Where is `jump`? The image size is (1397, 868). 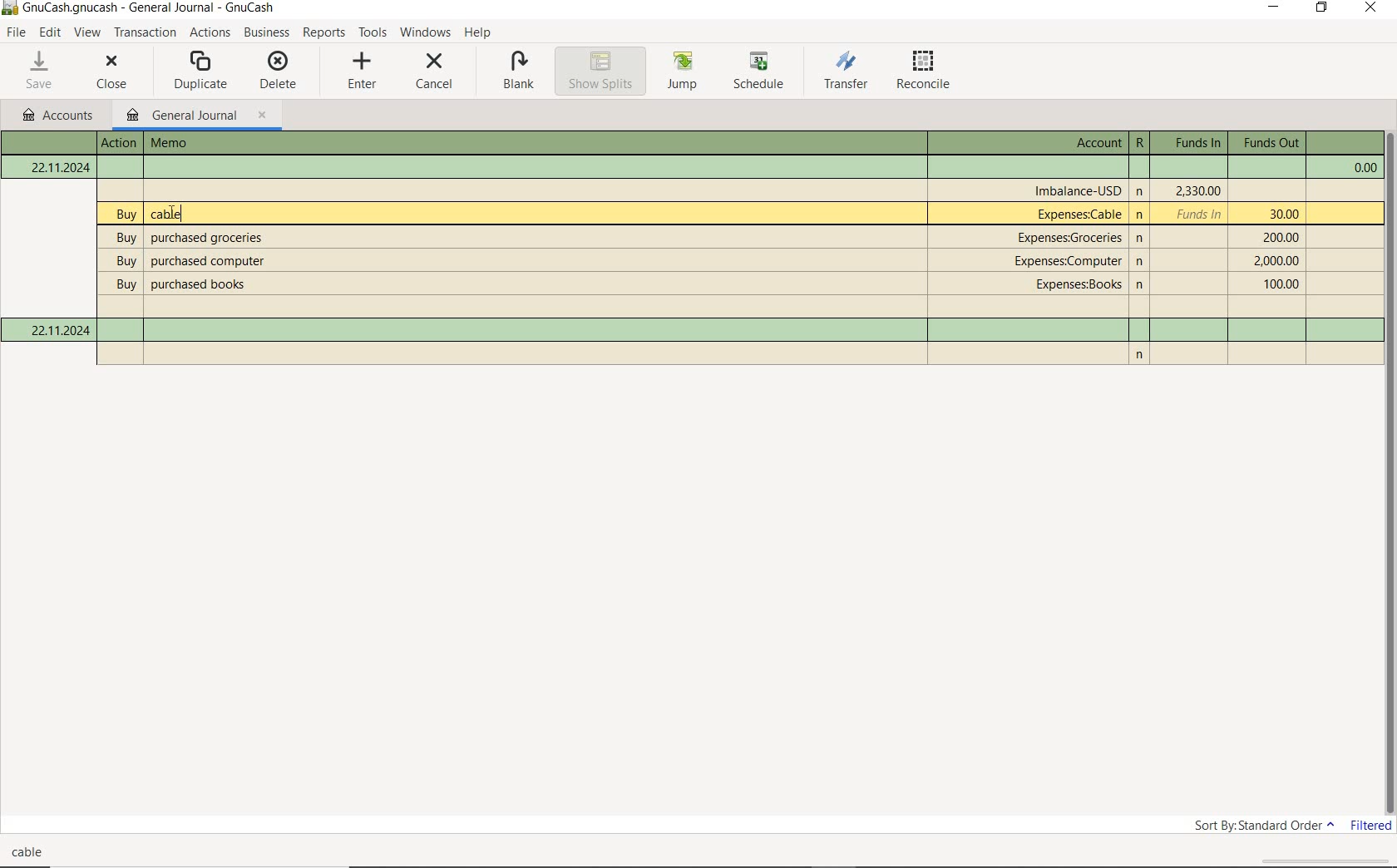
jump is located at coordinates (684, 72).